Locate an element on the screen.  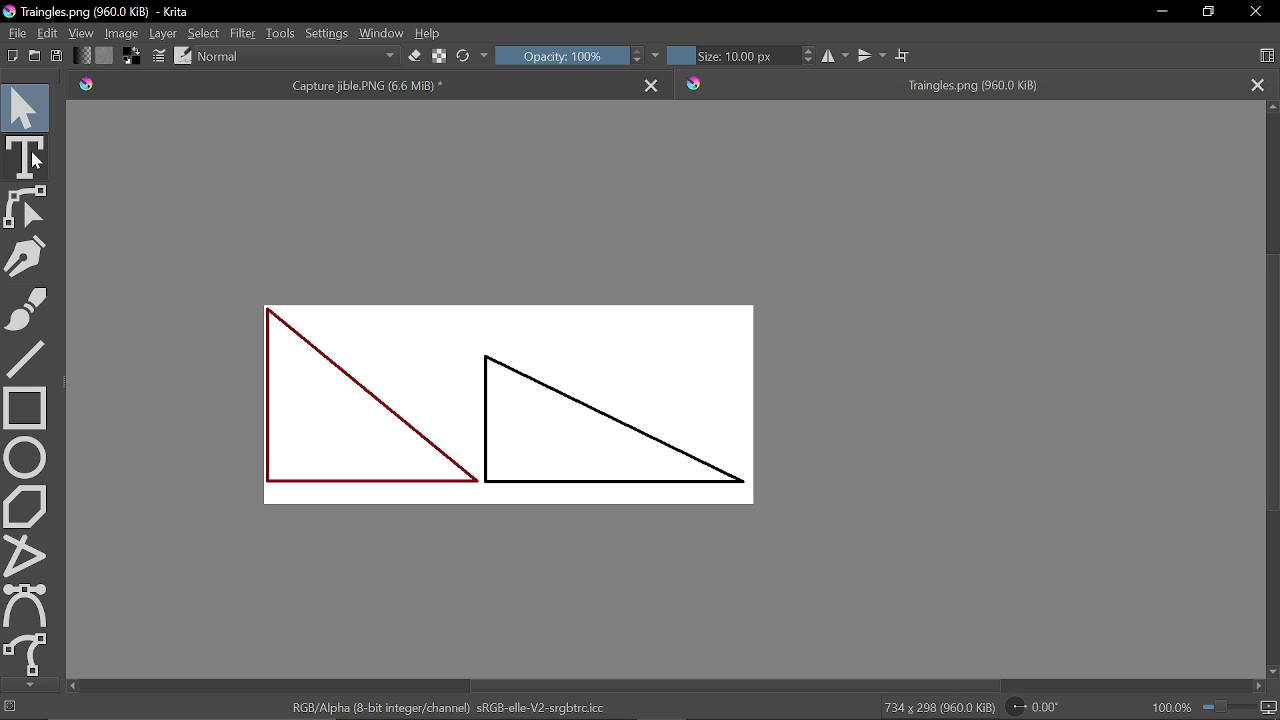
Wrap around mode is located at coordinates (905, 57).